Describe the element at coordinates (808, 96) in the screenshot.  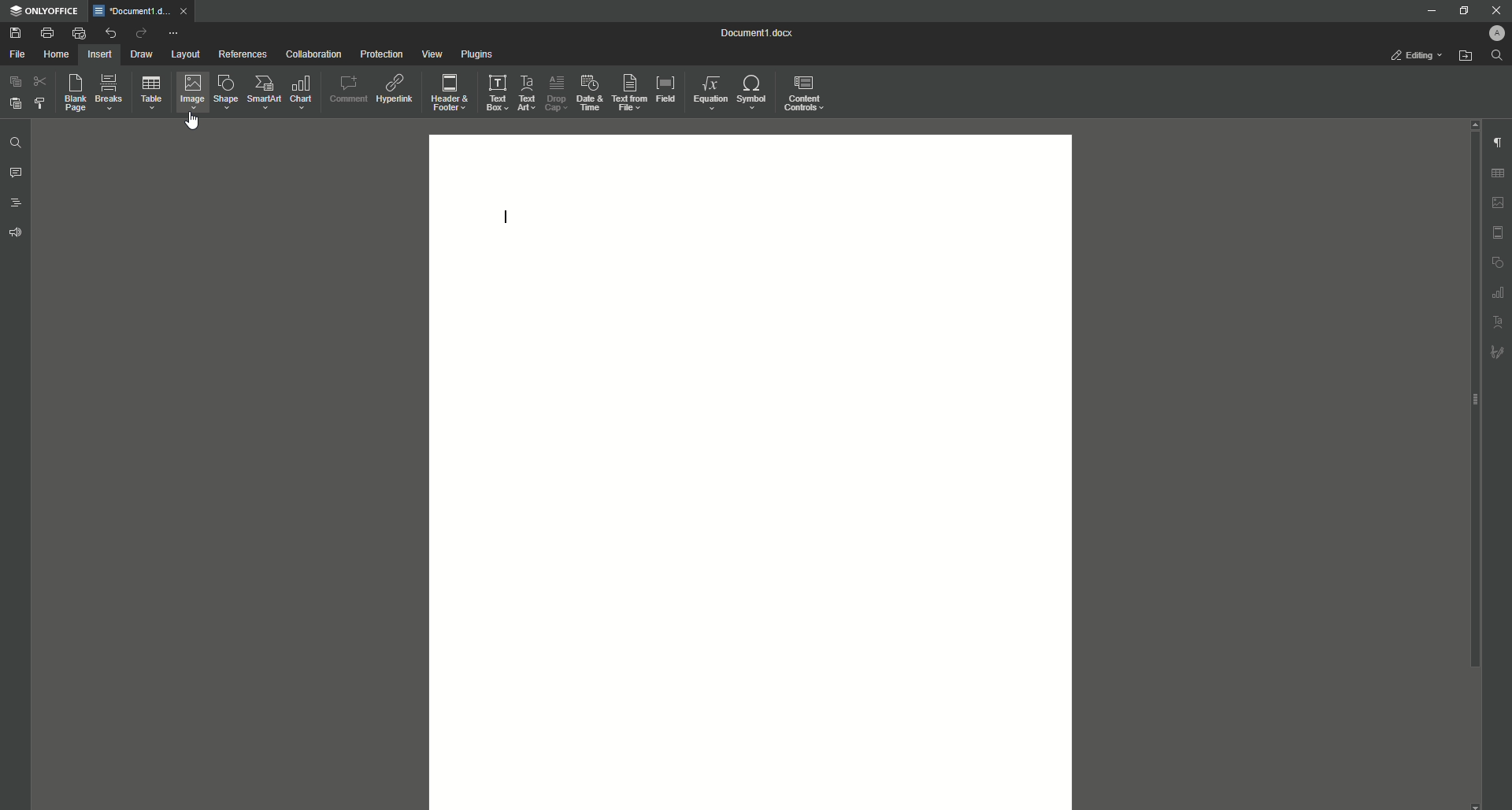
I see `Content Controls` at that location.